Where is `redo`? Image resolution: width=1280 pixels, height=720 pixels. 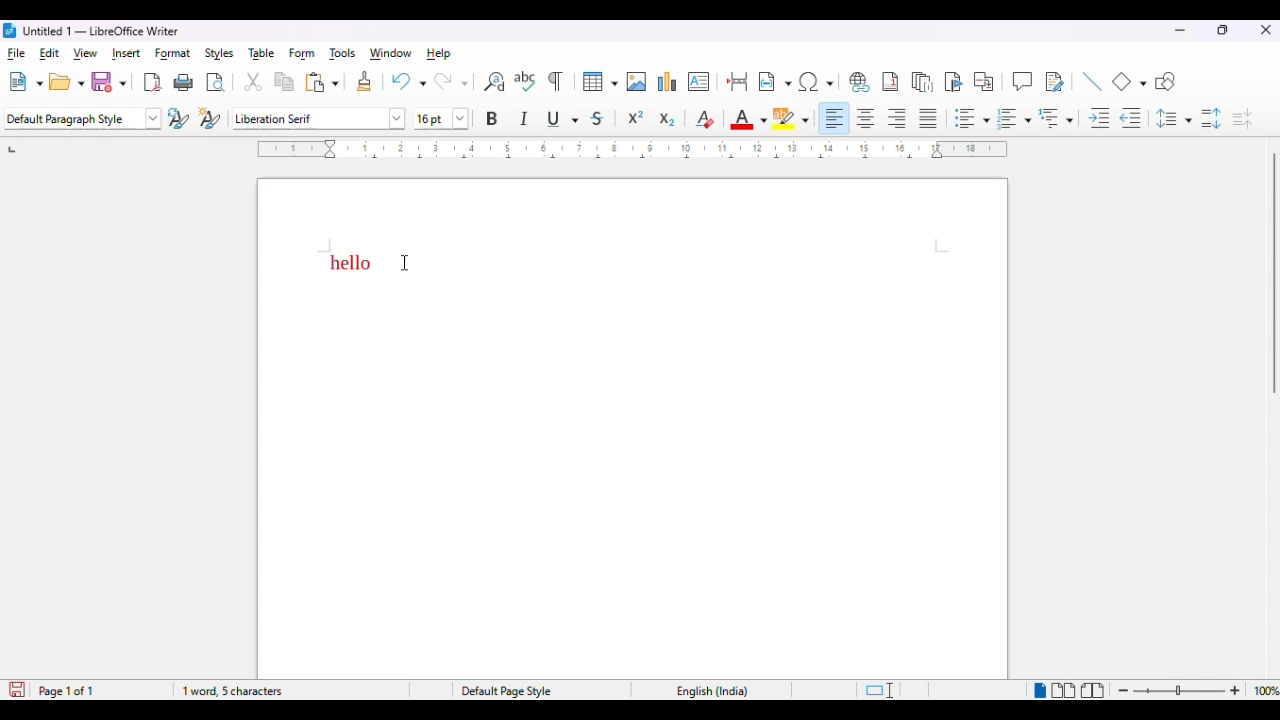 redo is located at coordinates (450, 81).